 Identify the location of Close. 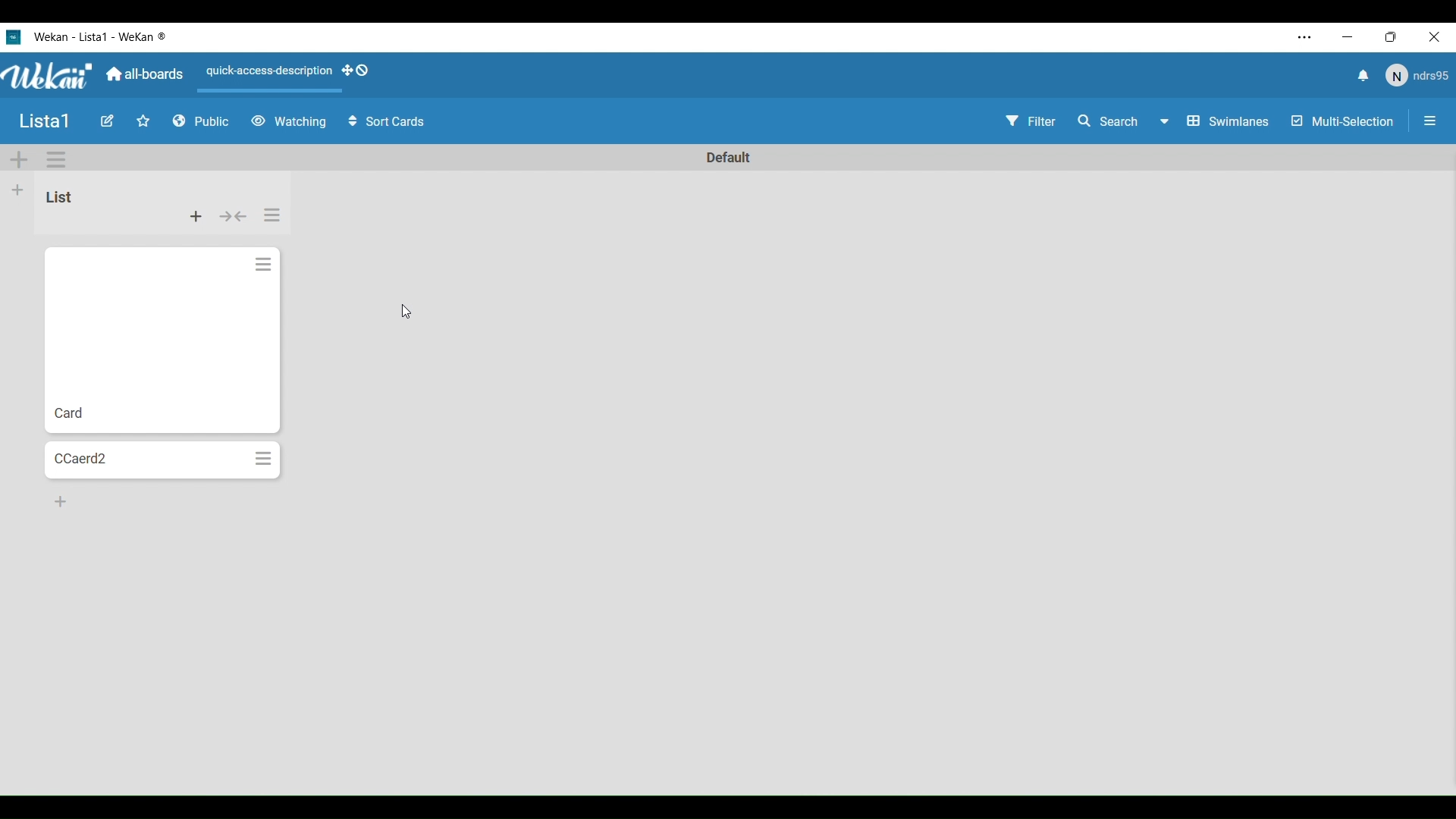
(1438, 38).